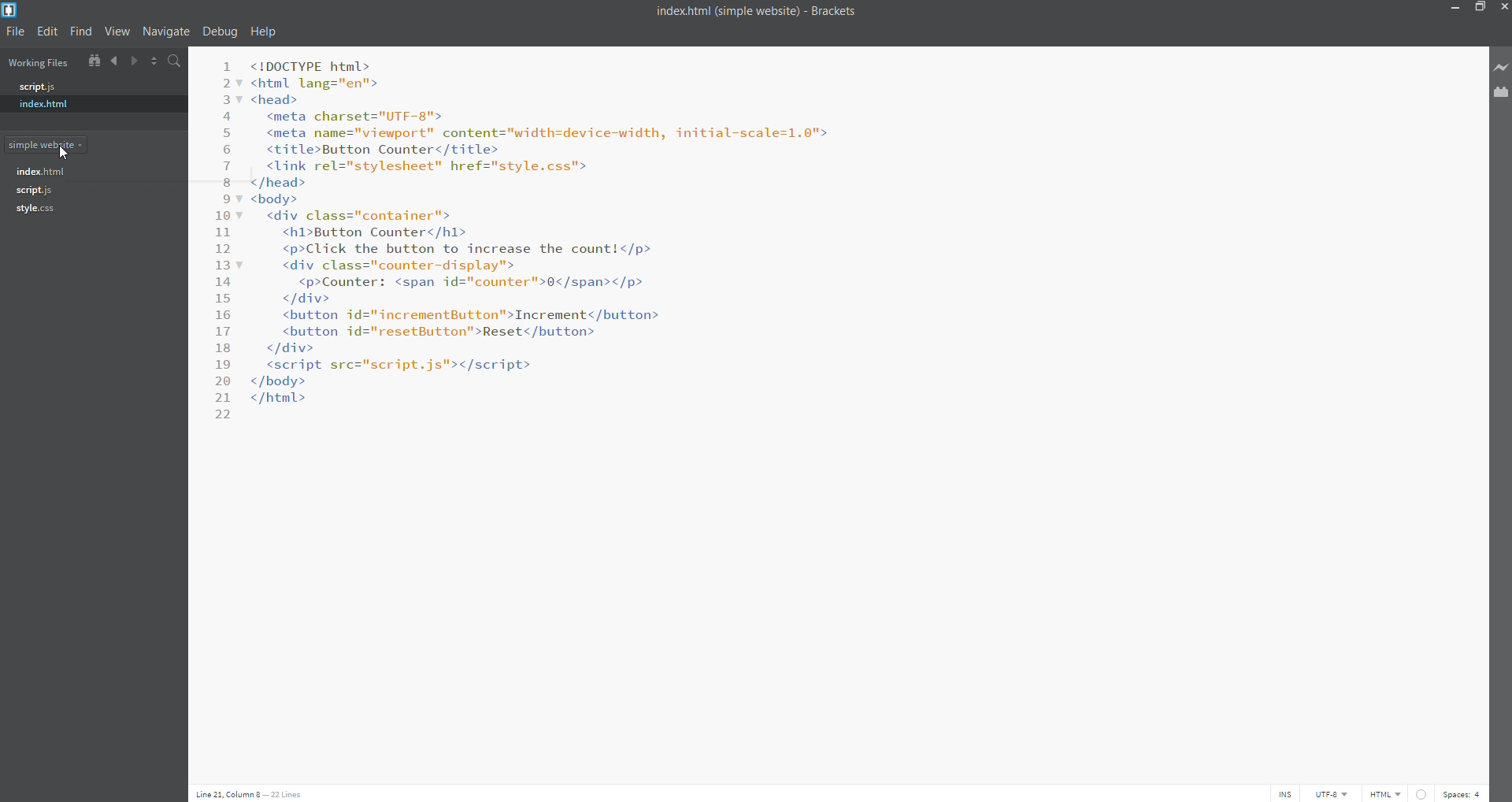 This screenshot has width=1512, height=802. What do you see at coordinates (173, 63) in the screenshot?
I see `search` at bounding box center [173, 63].